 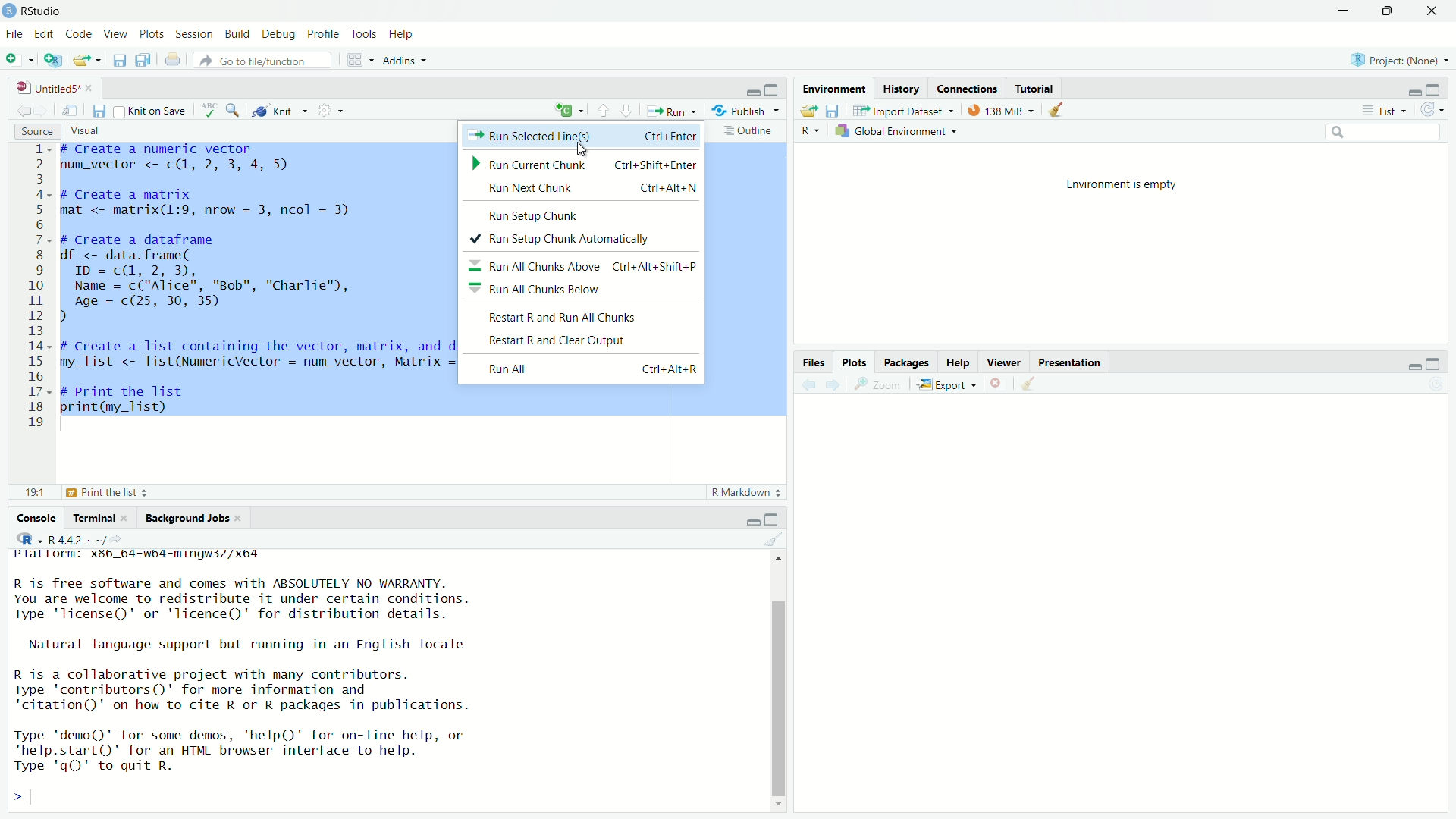 What do you see at coordinates (857, 362) in the screenshot?
I see `Plots` at bounding box center [857, 362].